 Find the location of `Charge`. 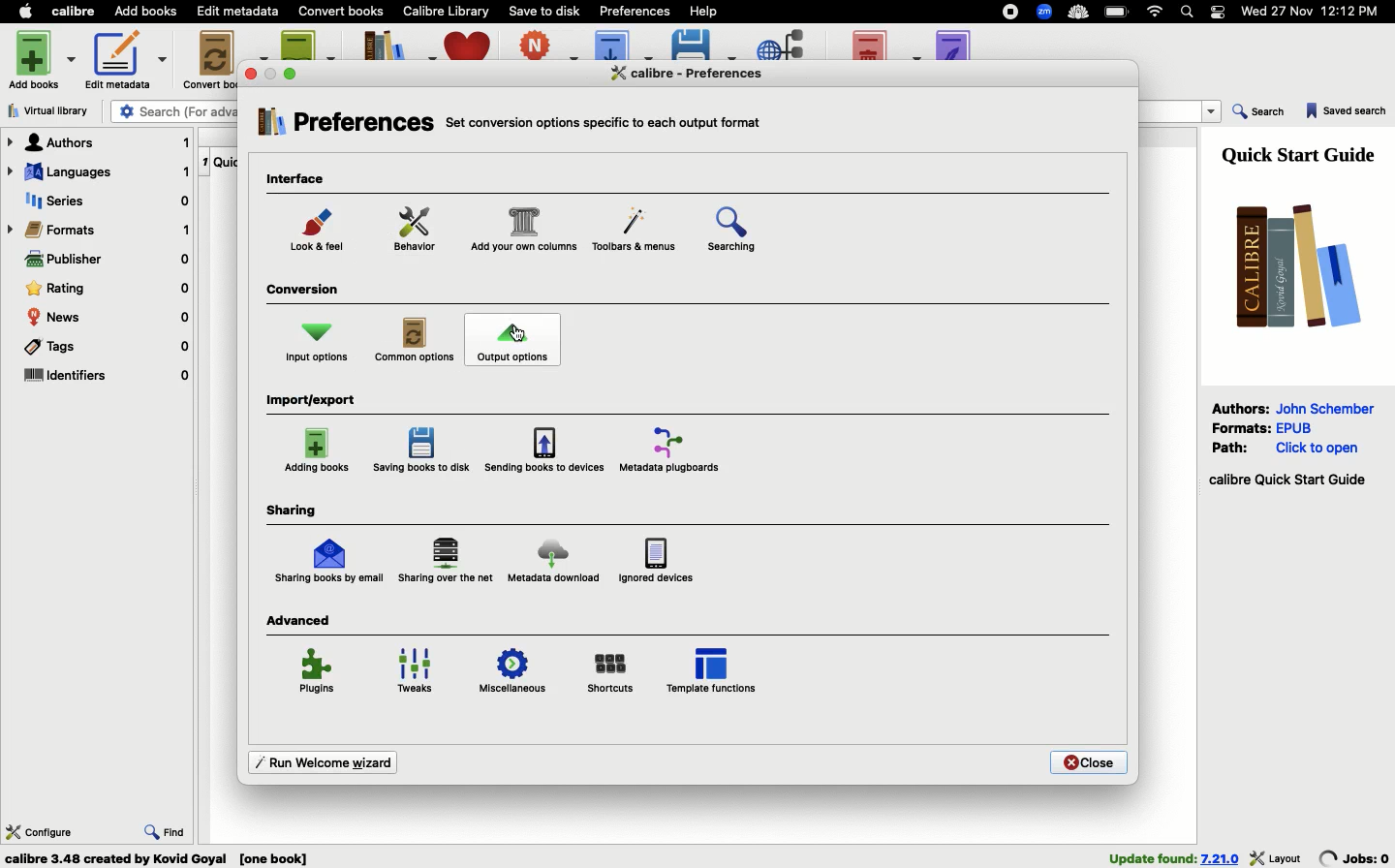

Charge is located at coordinates (1118, 13).